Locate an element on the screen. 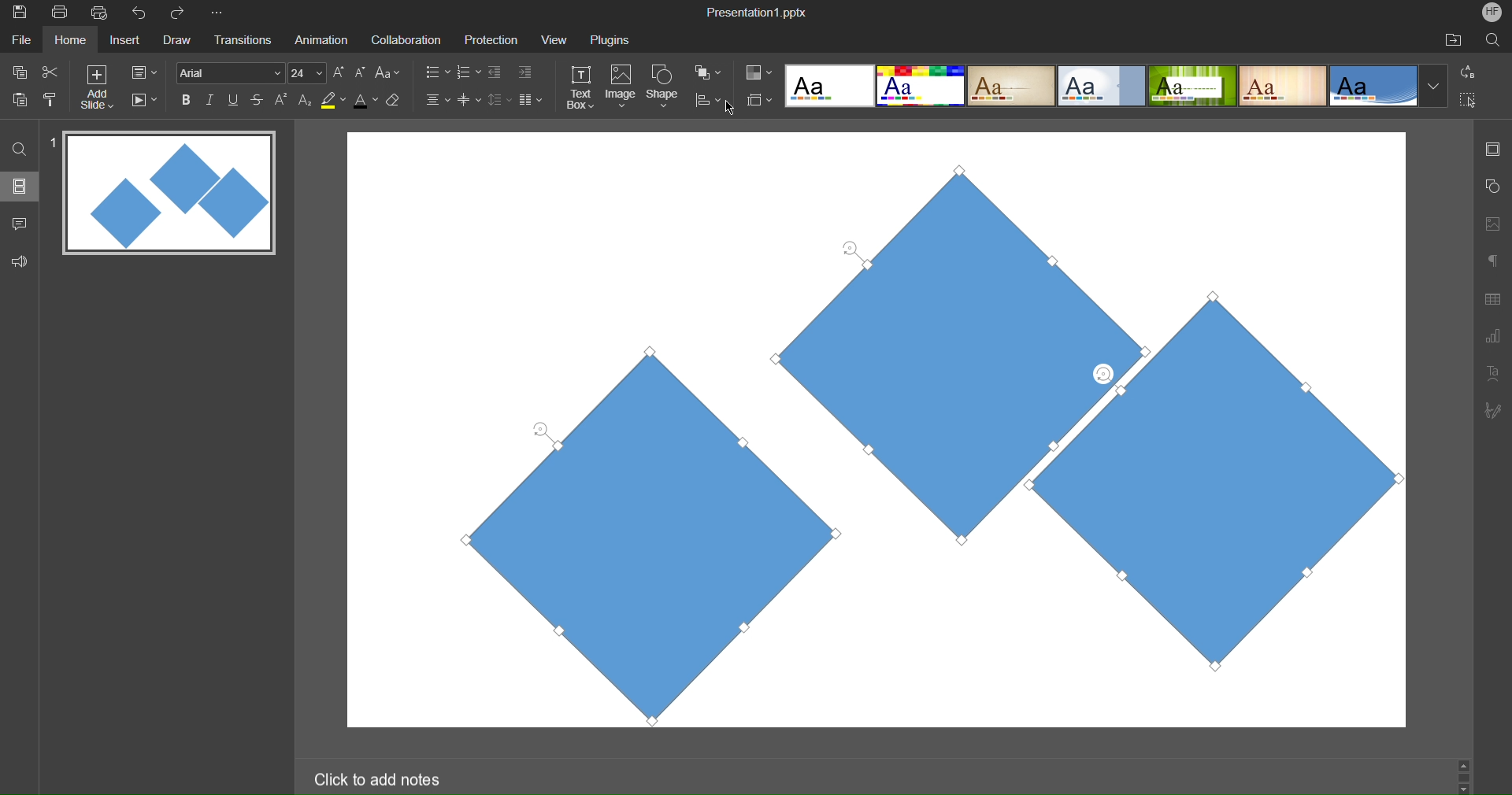 The width and height of the screenshot is (1512, 795). Graph is located at coordinates (1492, 338).